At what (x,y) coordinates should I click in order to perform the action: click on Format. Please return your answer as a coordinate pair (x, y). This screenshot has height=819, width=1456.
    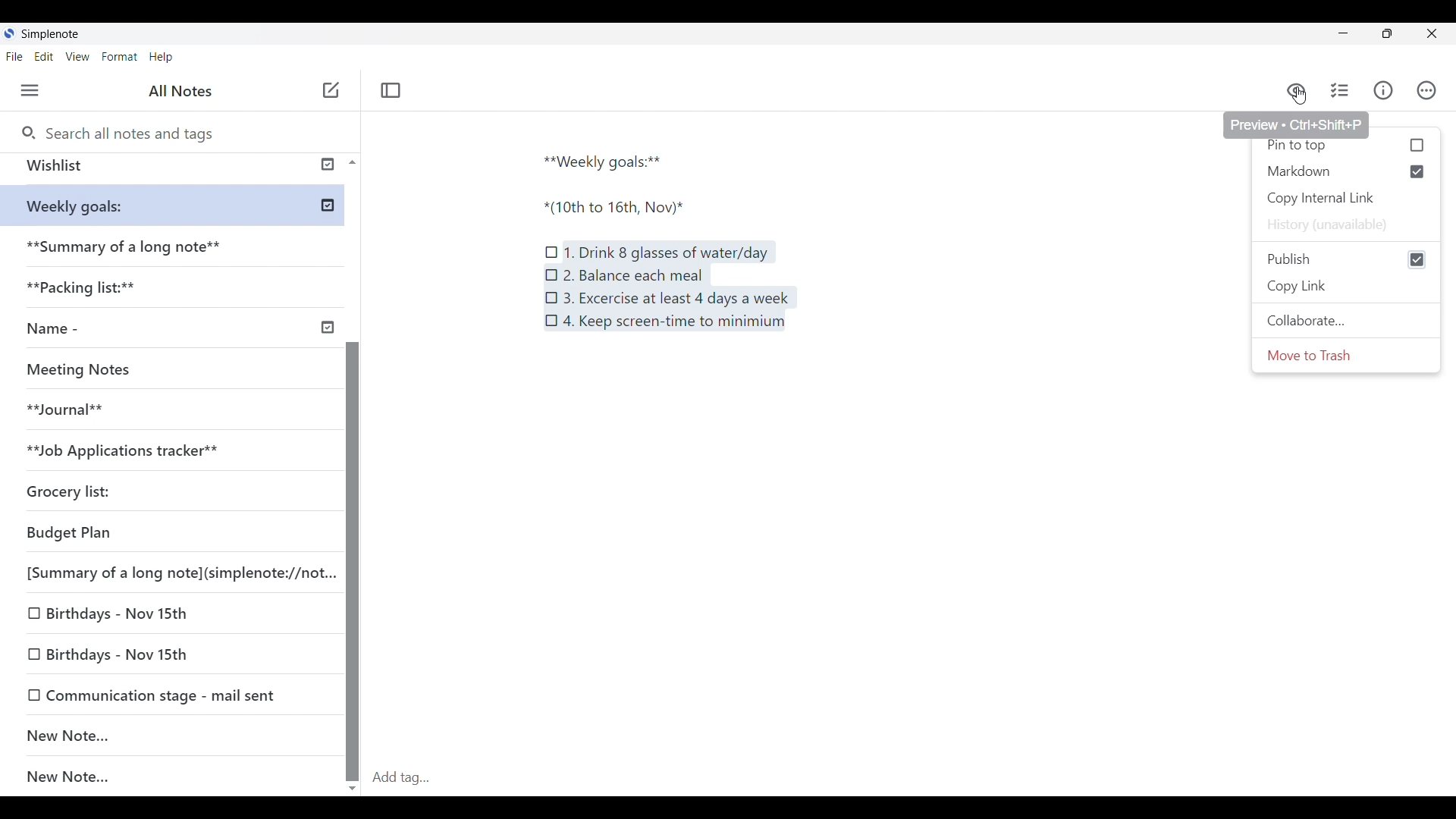
    Looking at the image, I should click on (120, 56).